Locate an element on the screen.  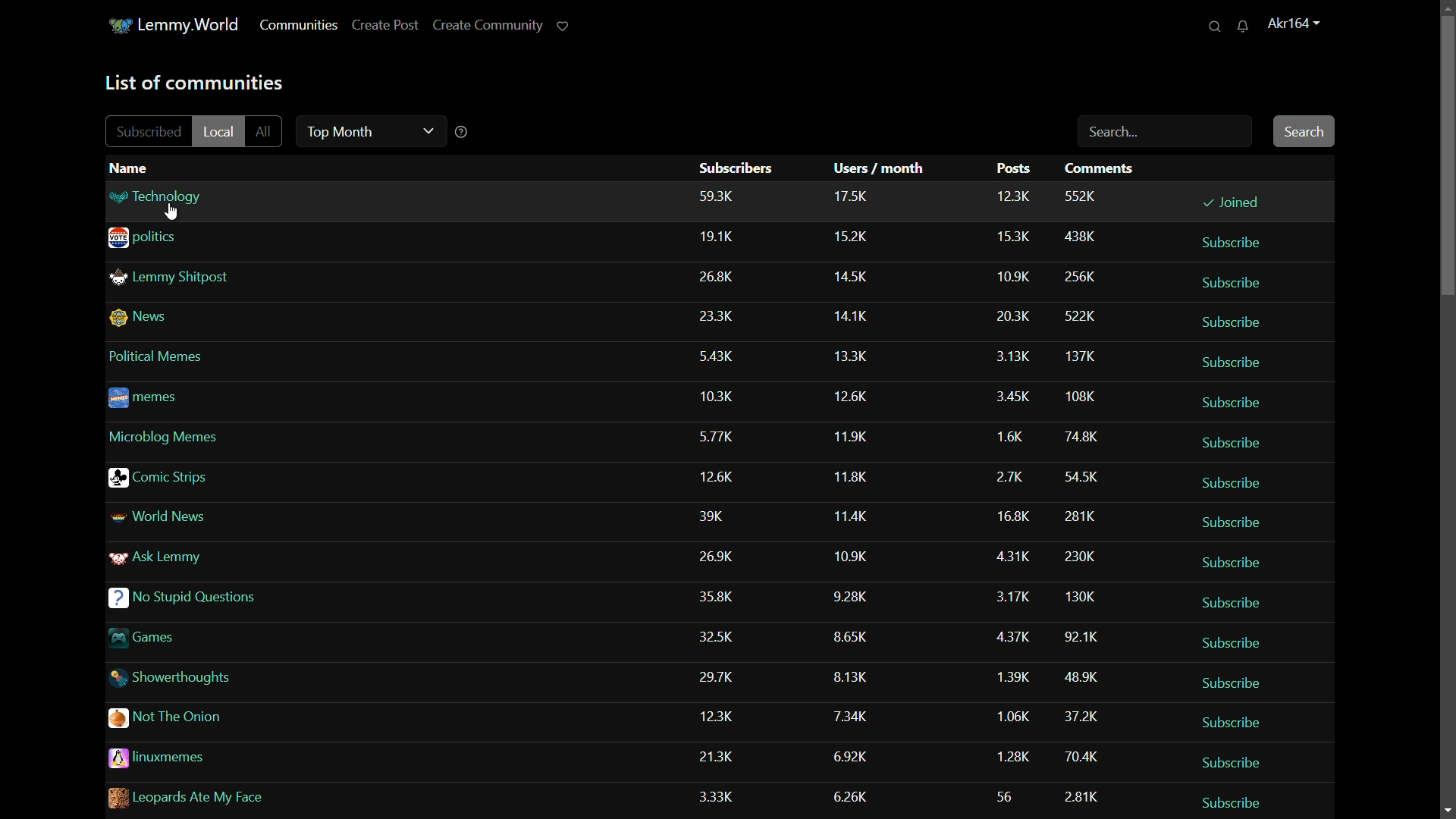
name is located at coordinates (128, 166).